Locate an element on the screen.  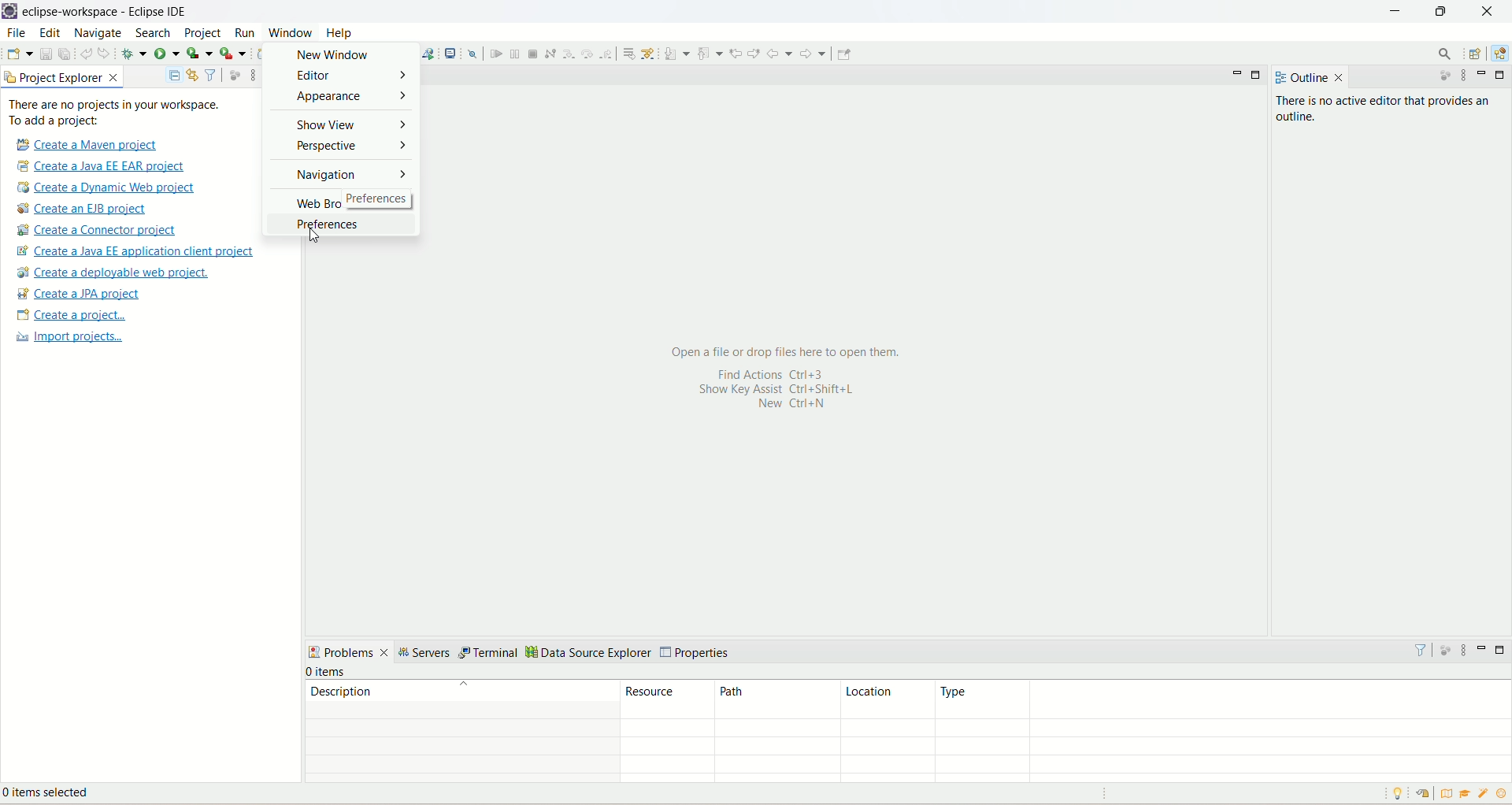
next annotation is located at coordinates (676, 54).